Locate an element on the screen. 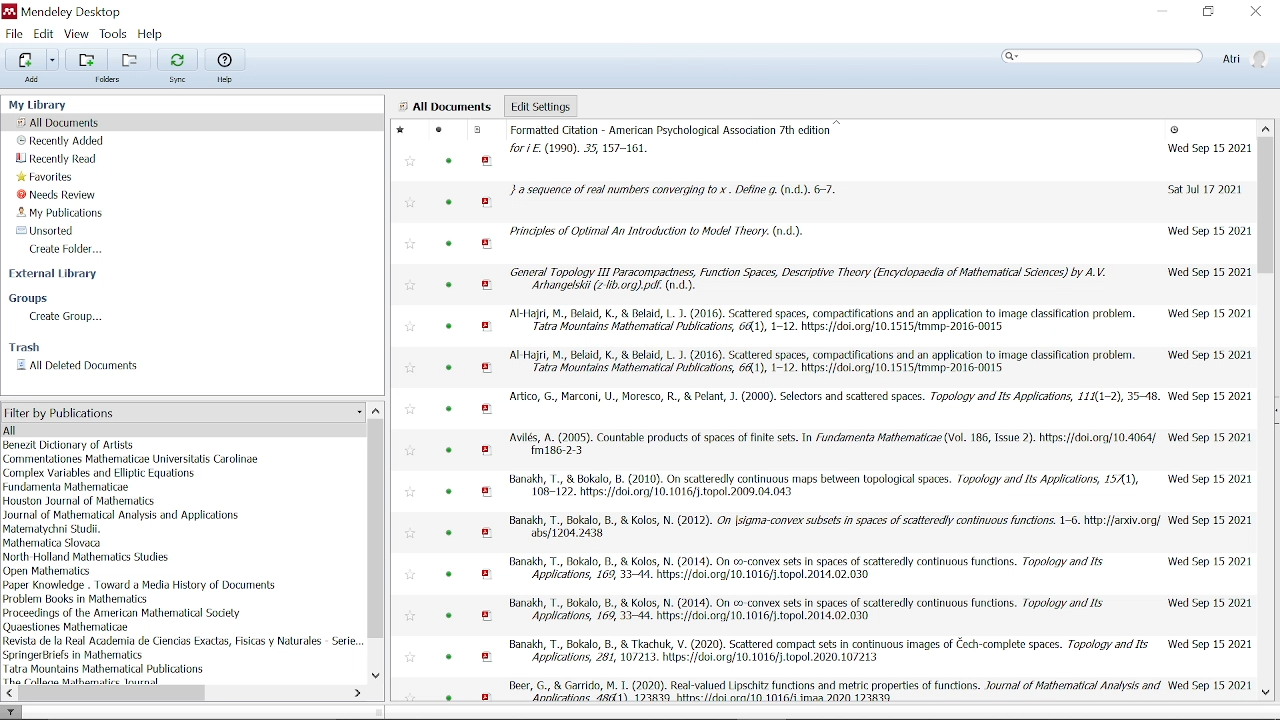 Image resolution: width=1280 pixels, height=720 pixels. status is located at coordinates (448, 656).